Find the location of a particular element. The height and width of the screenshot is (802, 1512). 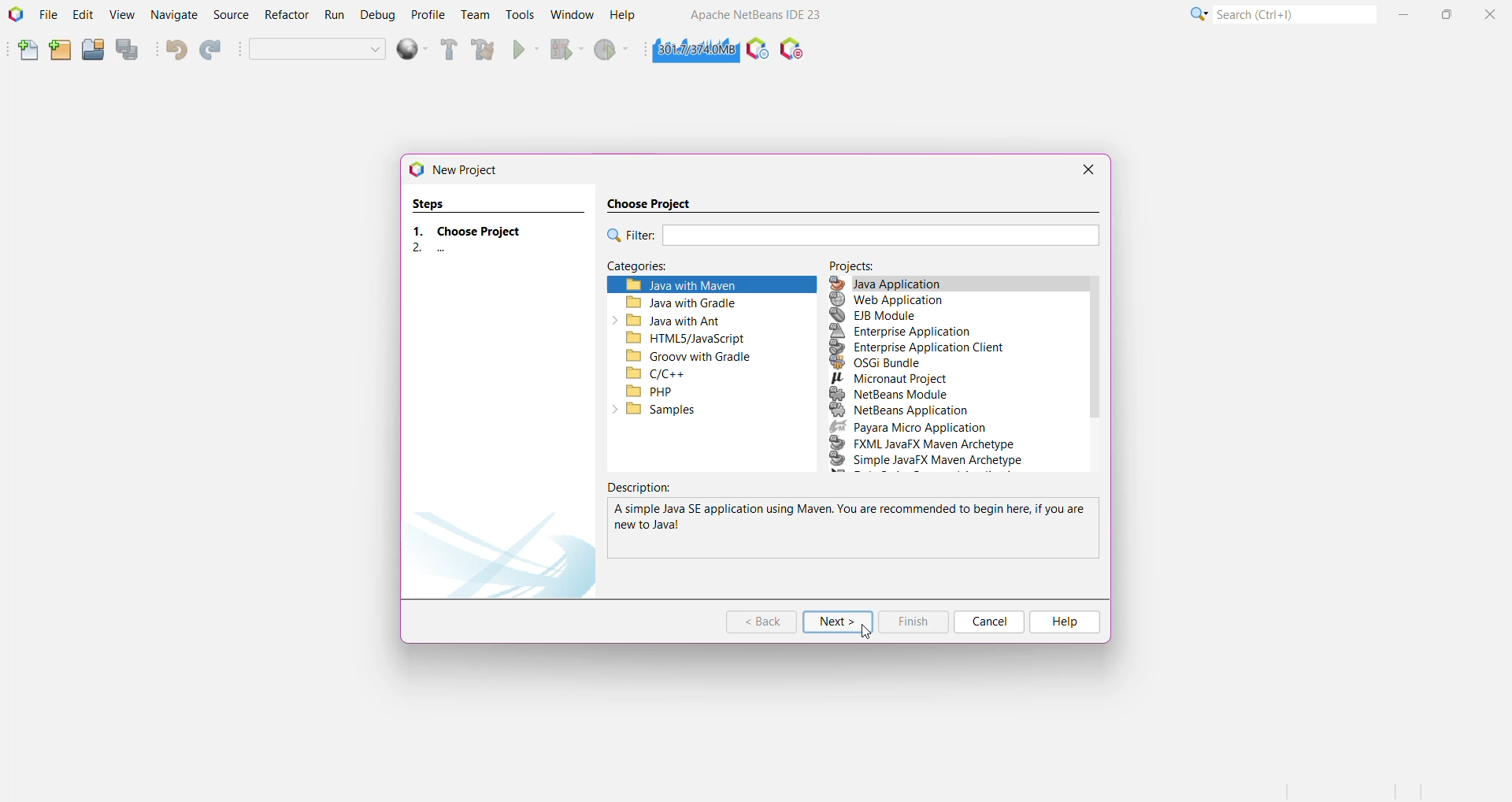

Java with Ant is located at coordinates (713, 321).